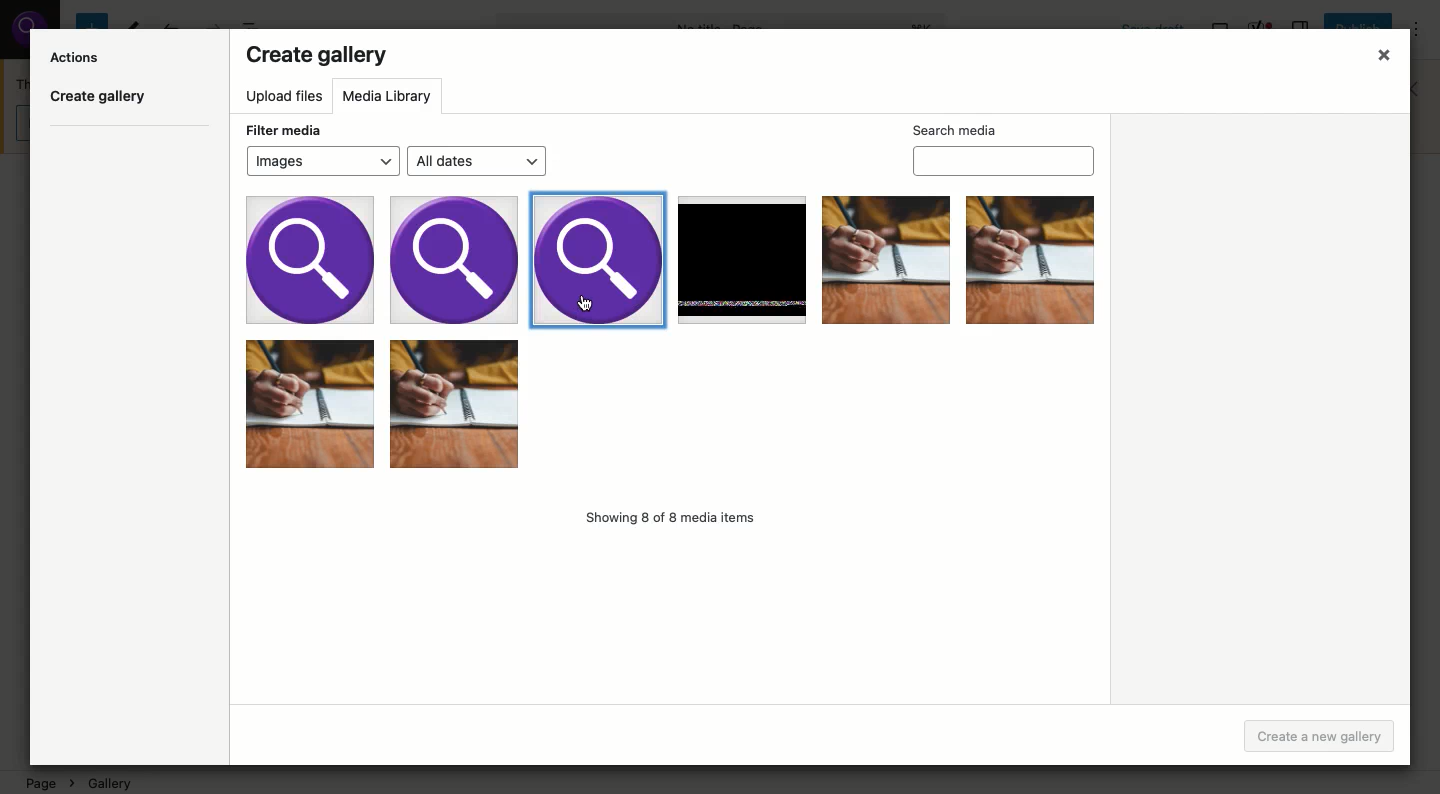  What do you see at coordinates (391, 96) in the screenshot?
I see `Media library` at bounding box center [391, 96].